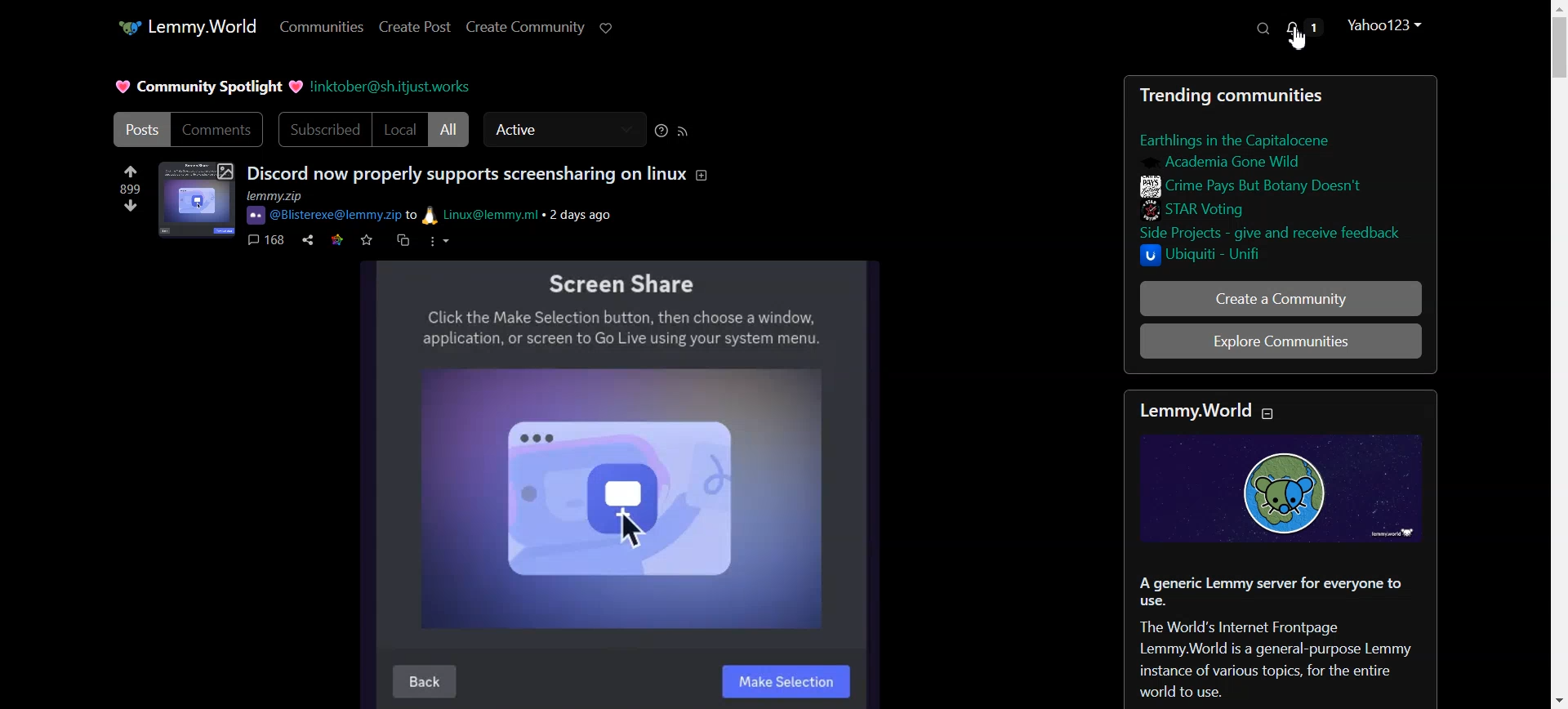 The width and height of the screenshot is (1568, 709). I want to click on Create Post, so click(415, 28).